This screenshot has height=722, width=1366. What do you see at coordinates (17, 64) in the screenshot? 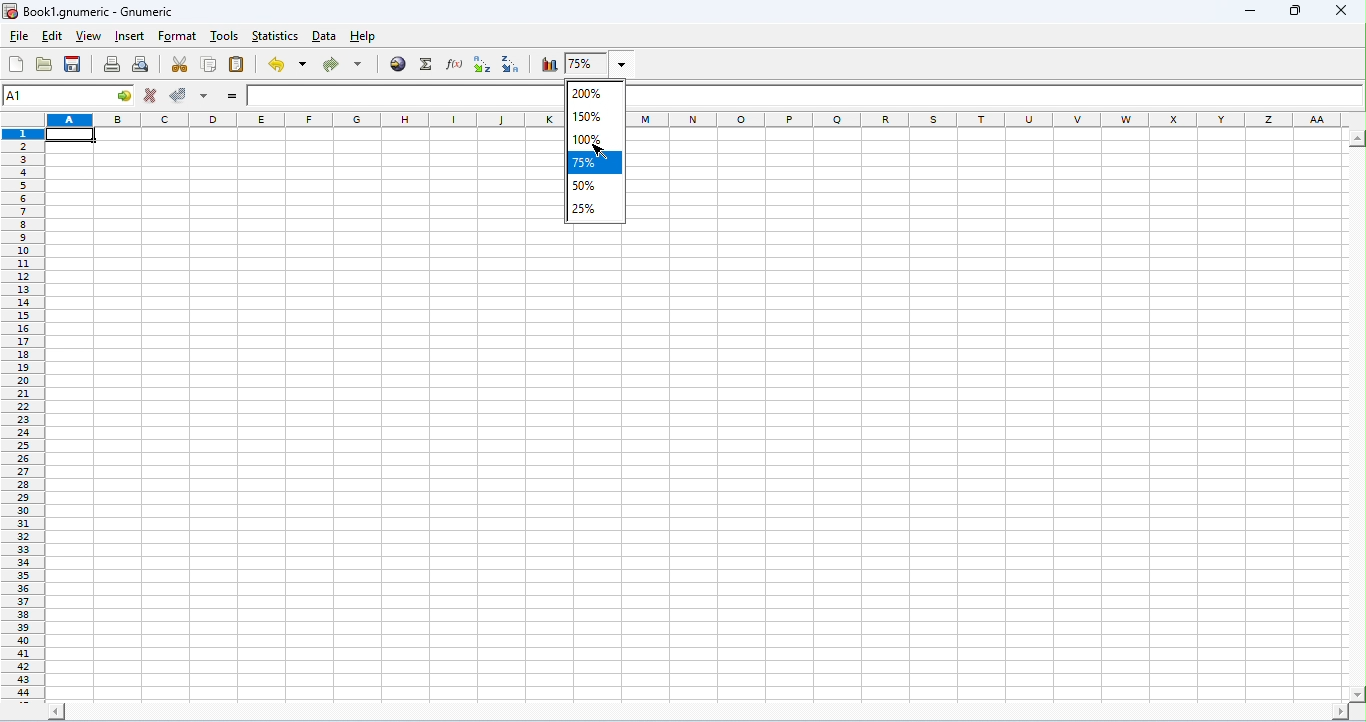
I see `new` at bounding box center [17, 64].